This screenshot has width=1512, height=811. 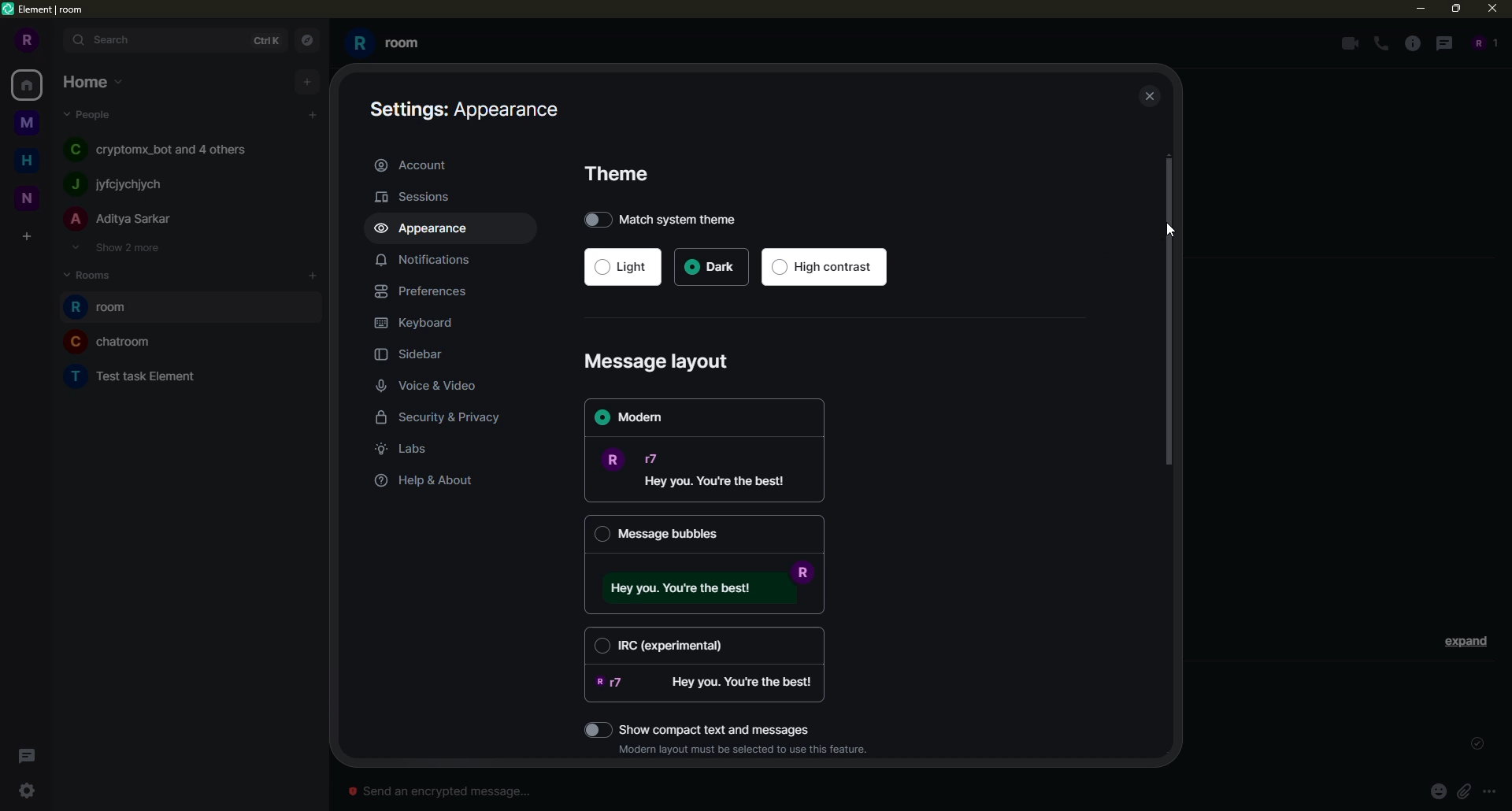 I want to click on voice & video, so click(x=432, y=387).